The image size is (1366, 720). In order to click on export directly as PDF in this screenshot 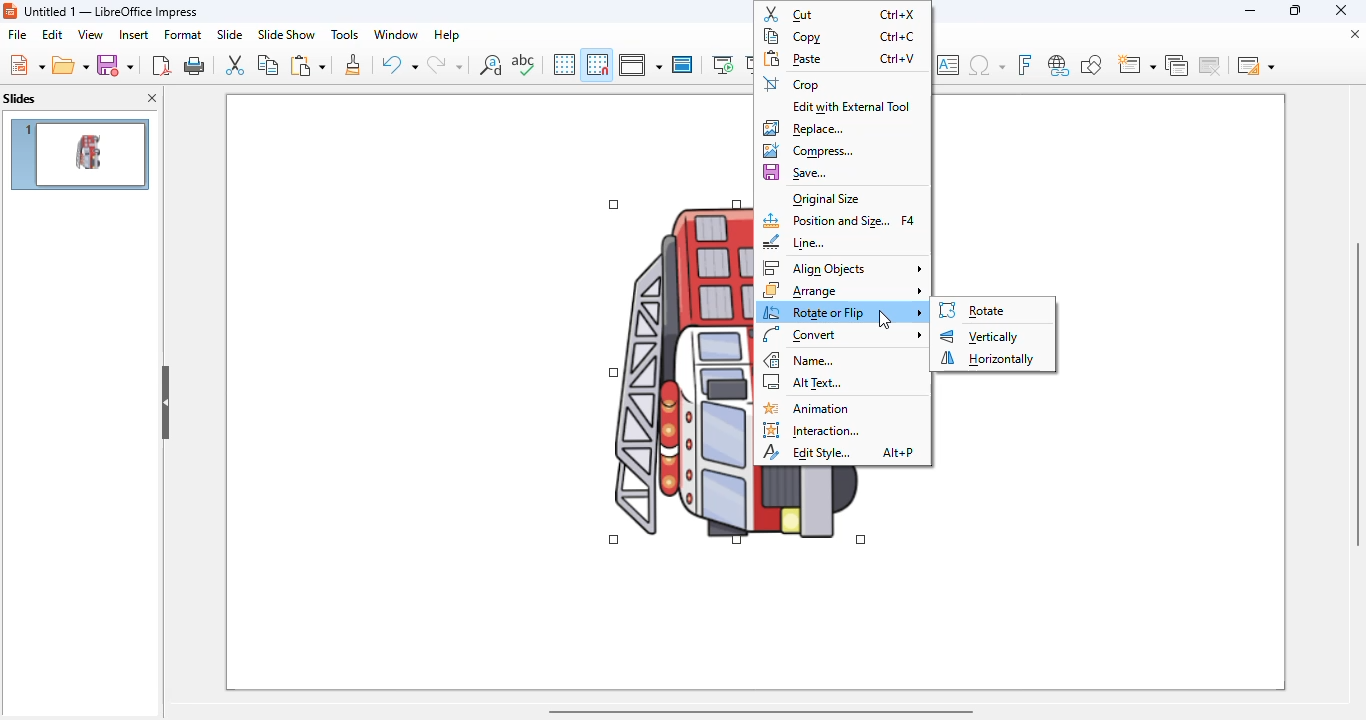, I will do `click(161, 65)`.